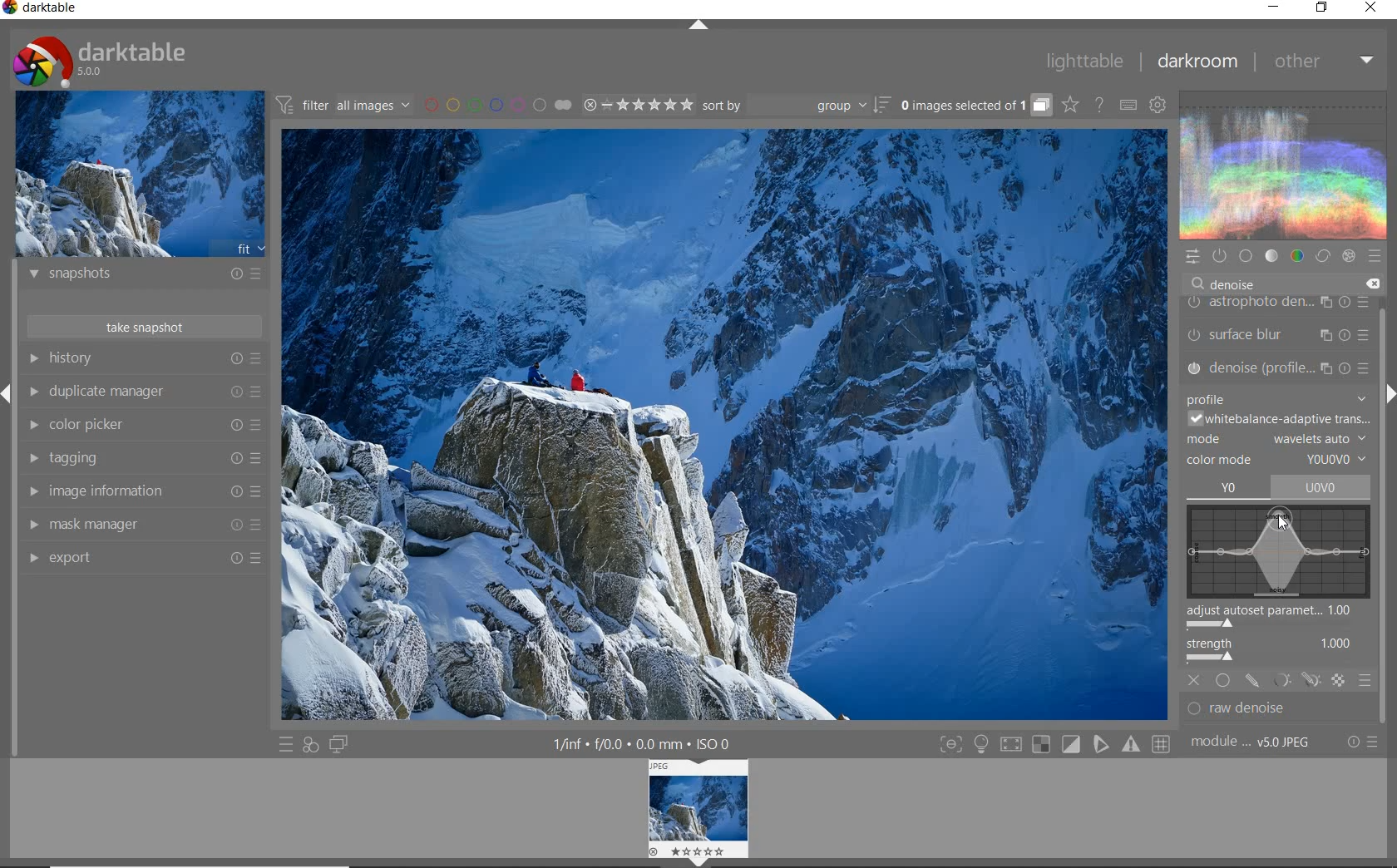 The image size is (1397, 868). Describe the element at coordinates (1298, 255) in the screenshot. I see `color` at that location.